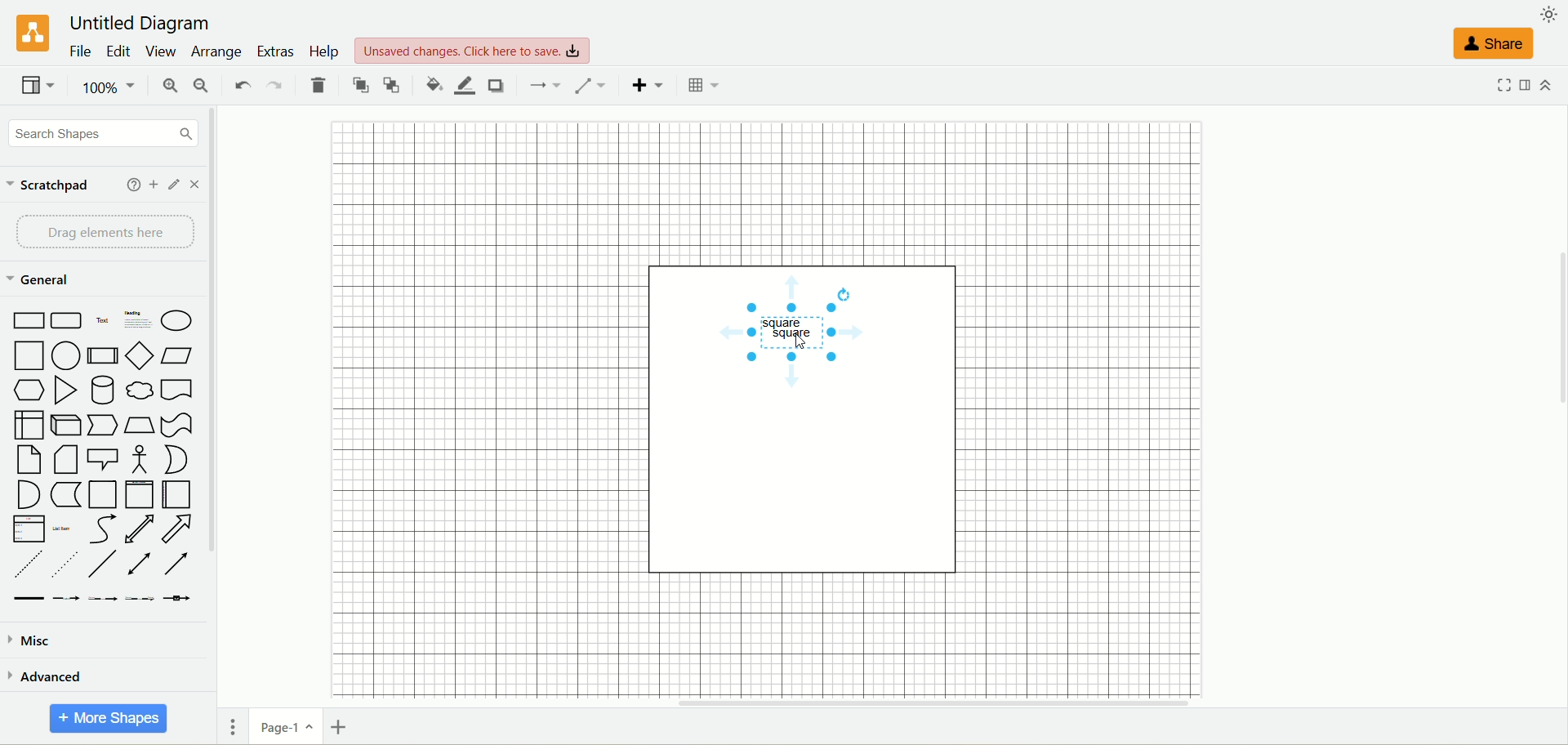  I want to click on Table, so click(703, 85).